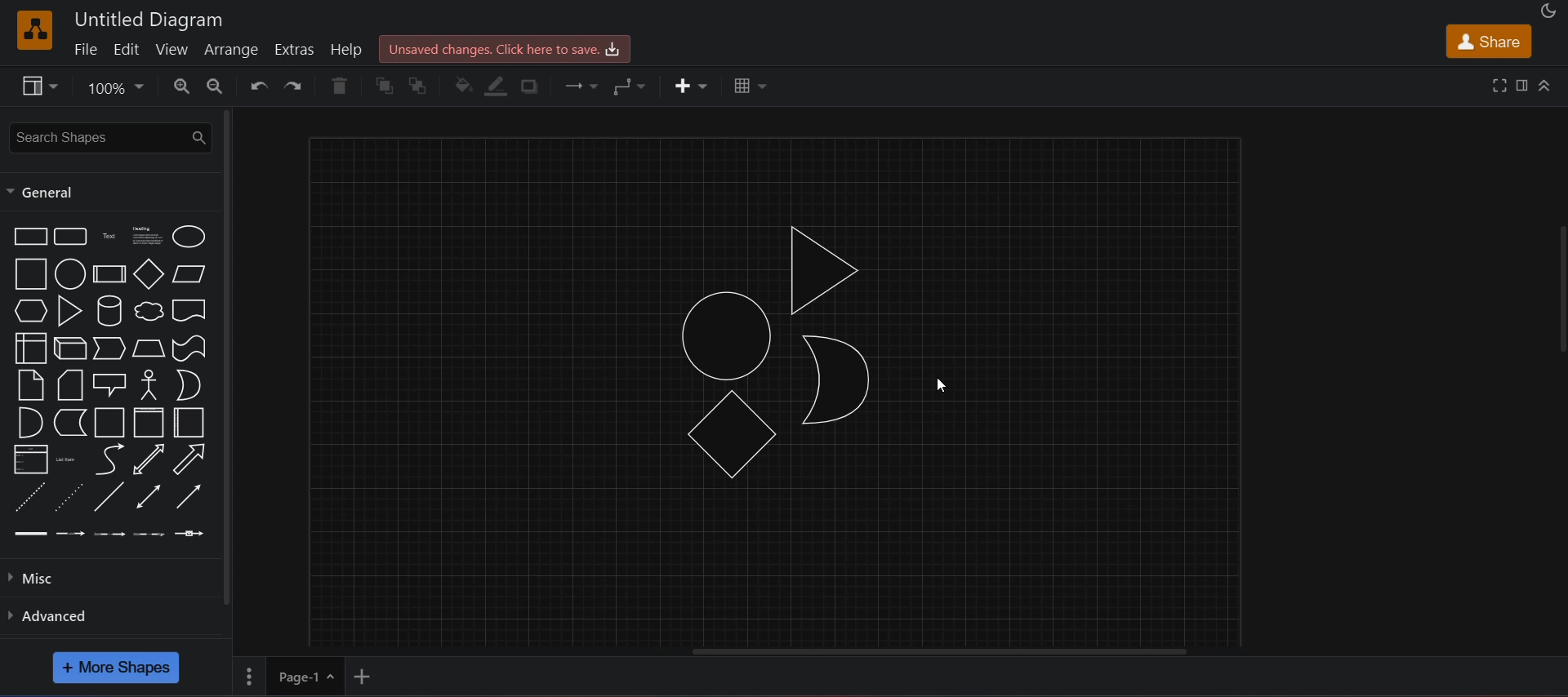 This screenshot has height=697, width=1568. I want to click on connection, so click(584, 87).